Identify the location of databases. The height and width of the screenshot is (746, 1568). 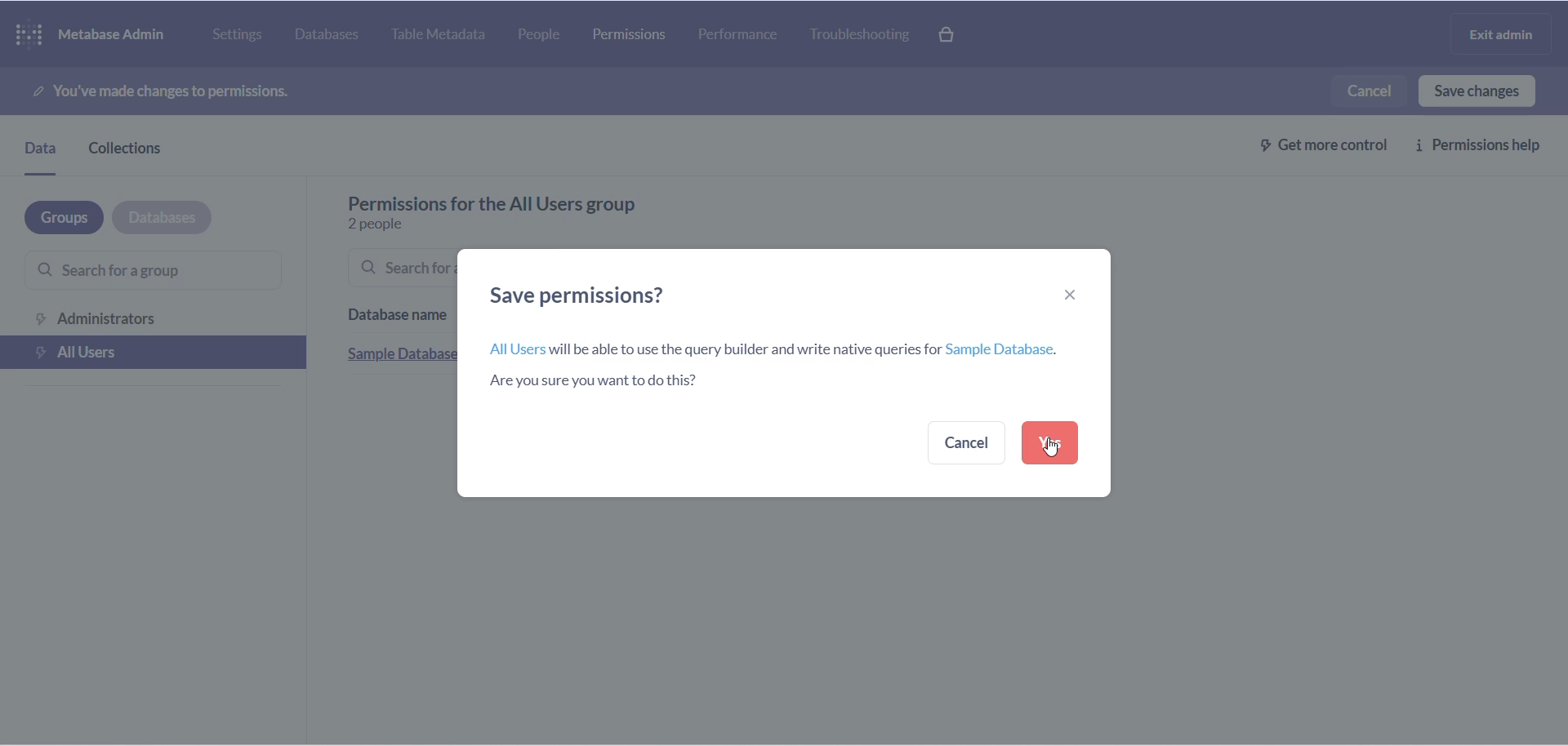
(331, 37).